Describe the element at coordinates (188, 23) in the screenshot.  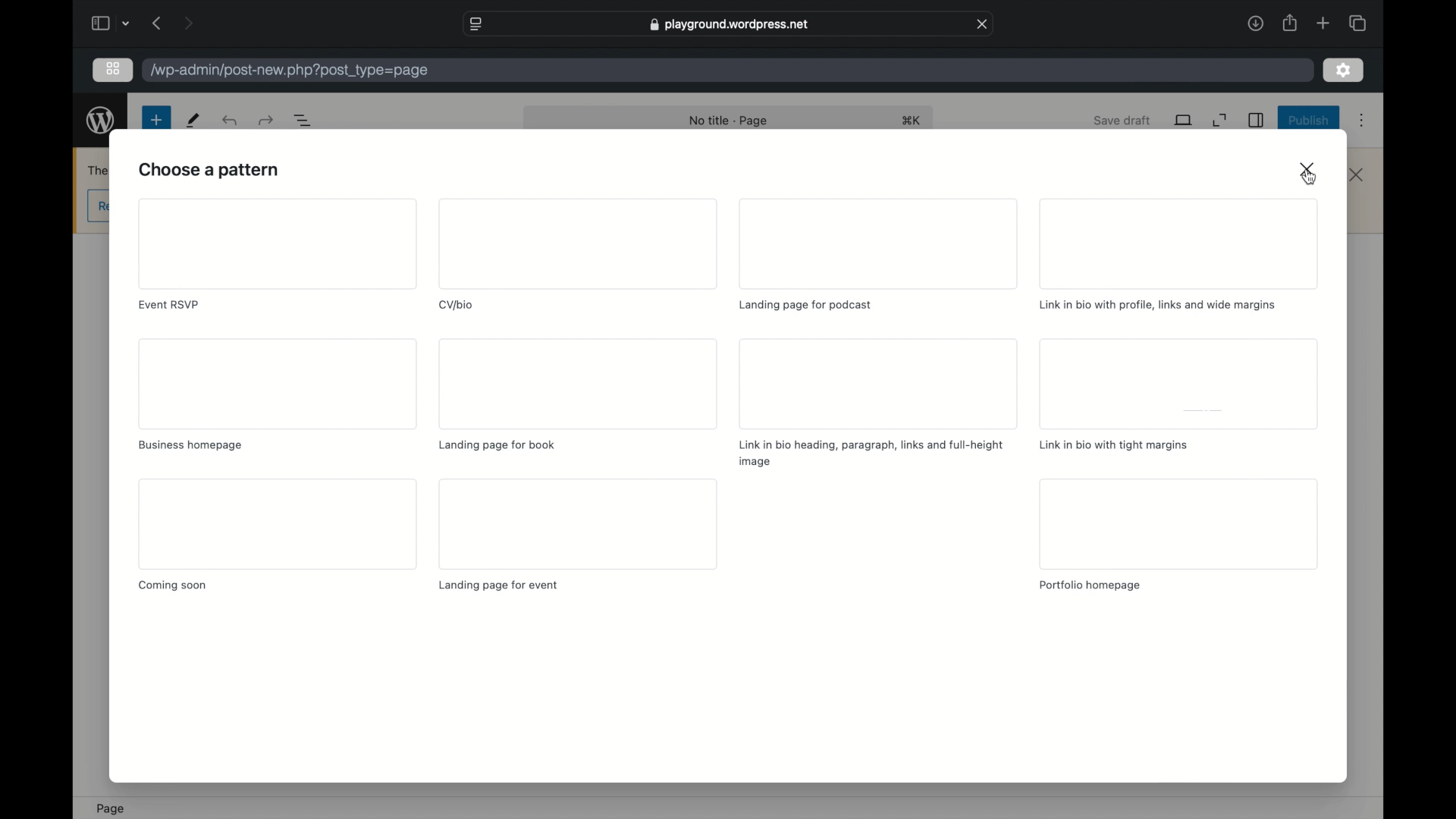
I see `next page` at that location.